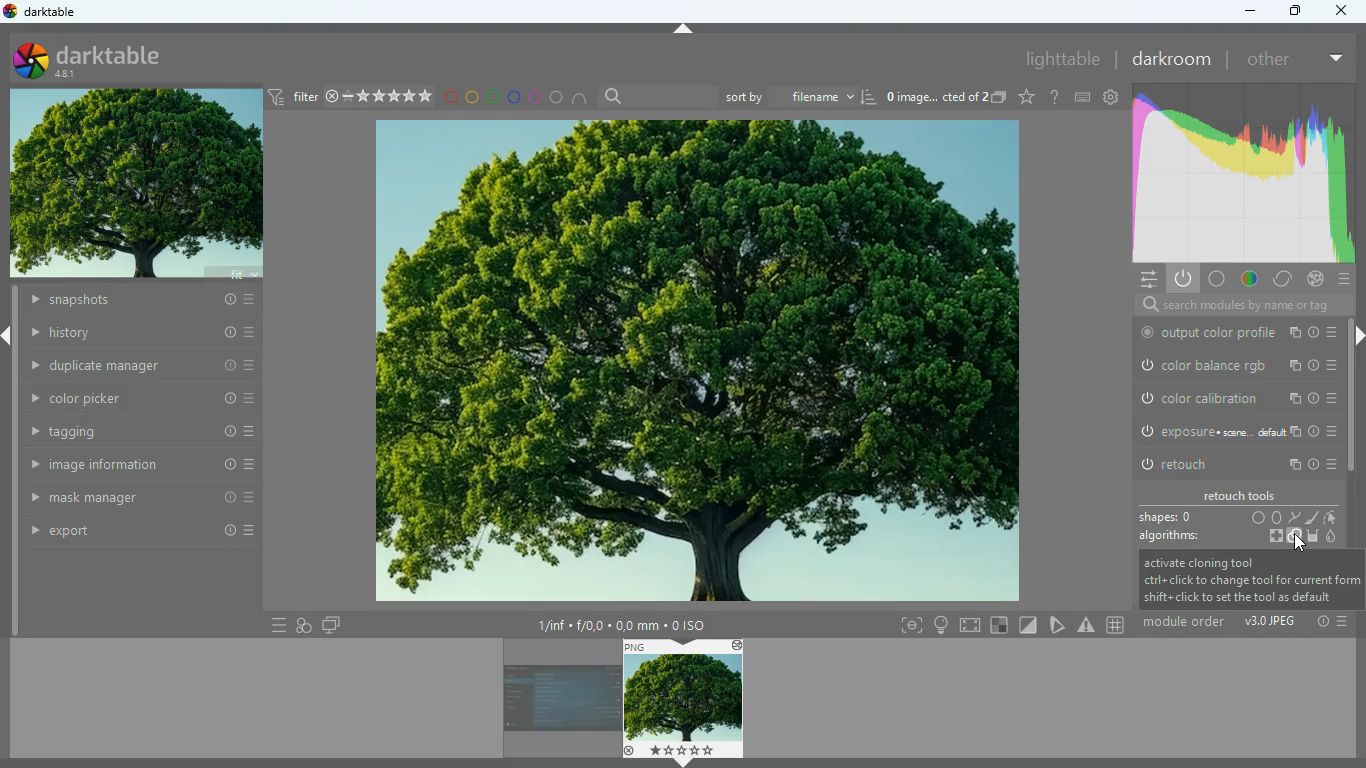 The width and height of the screenshot is (1366, 768). I want to click on minimize, so click(1247, 13).